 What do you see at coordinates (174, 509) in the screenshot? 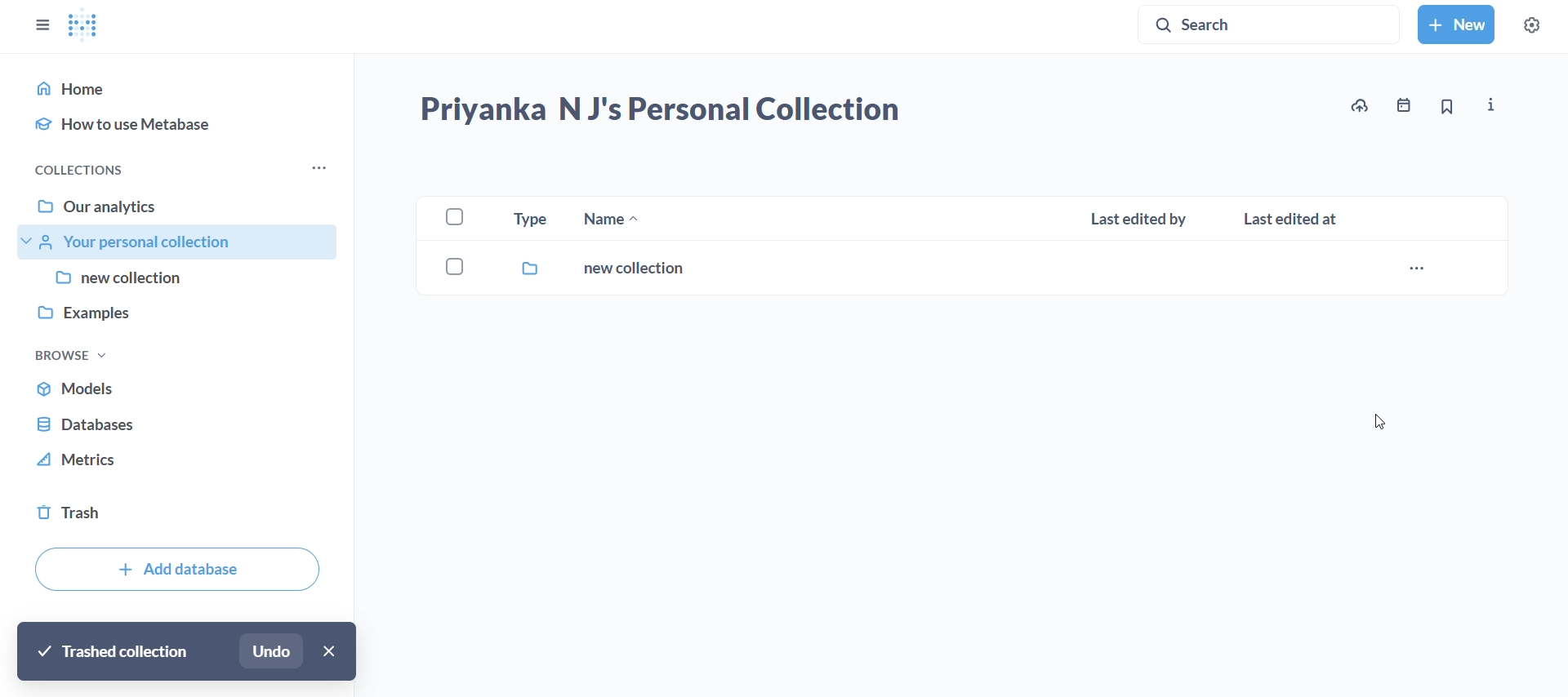
I see `trash` at bounding box center [174, 509].